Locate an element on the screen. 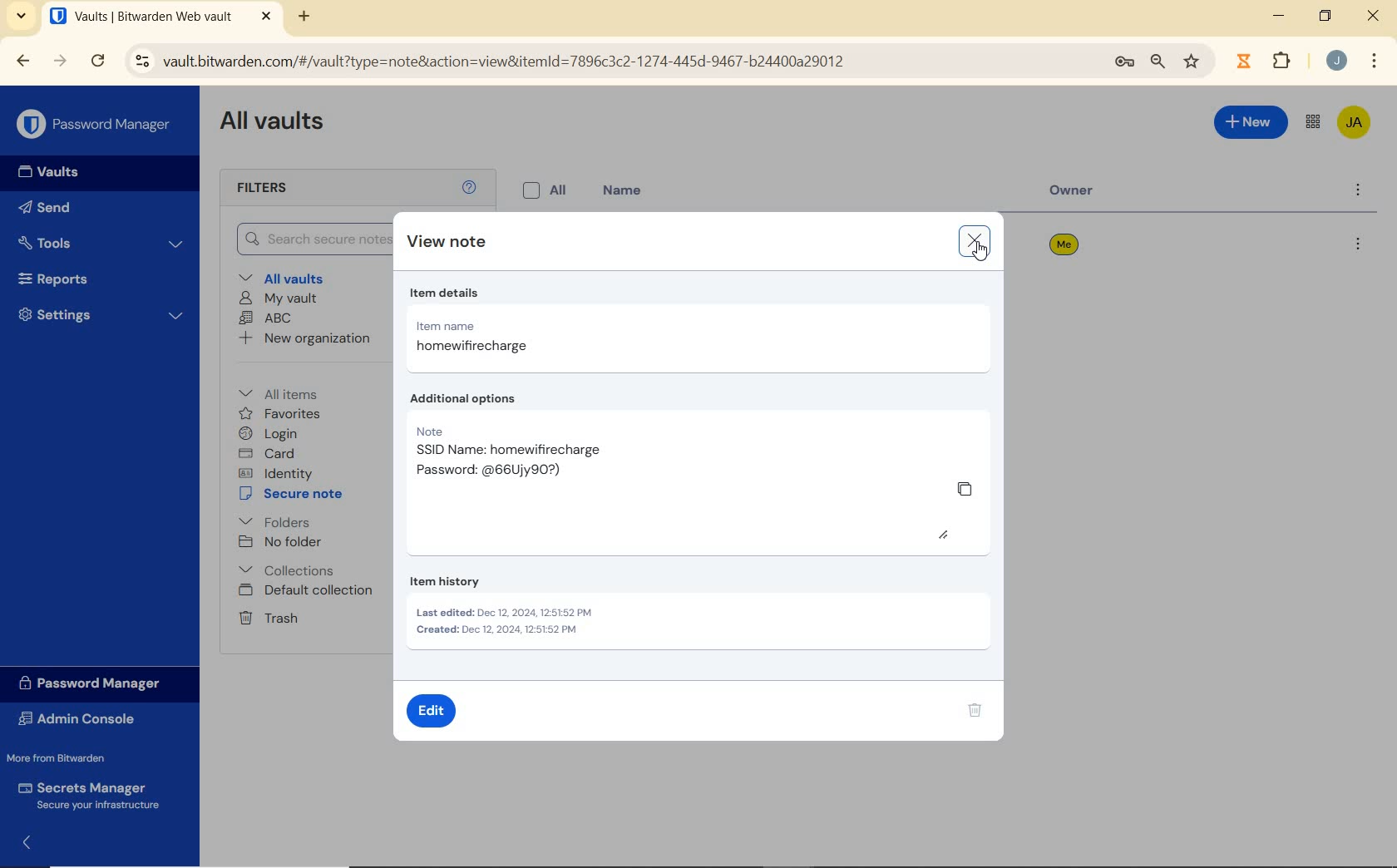  Settings is located at coordinates (99, 314).